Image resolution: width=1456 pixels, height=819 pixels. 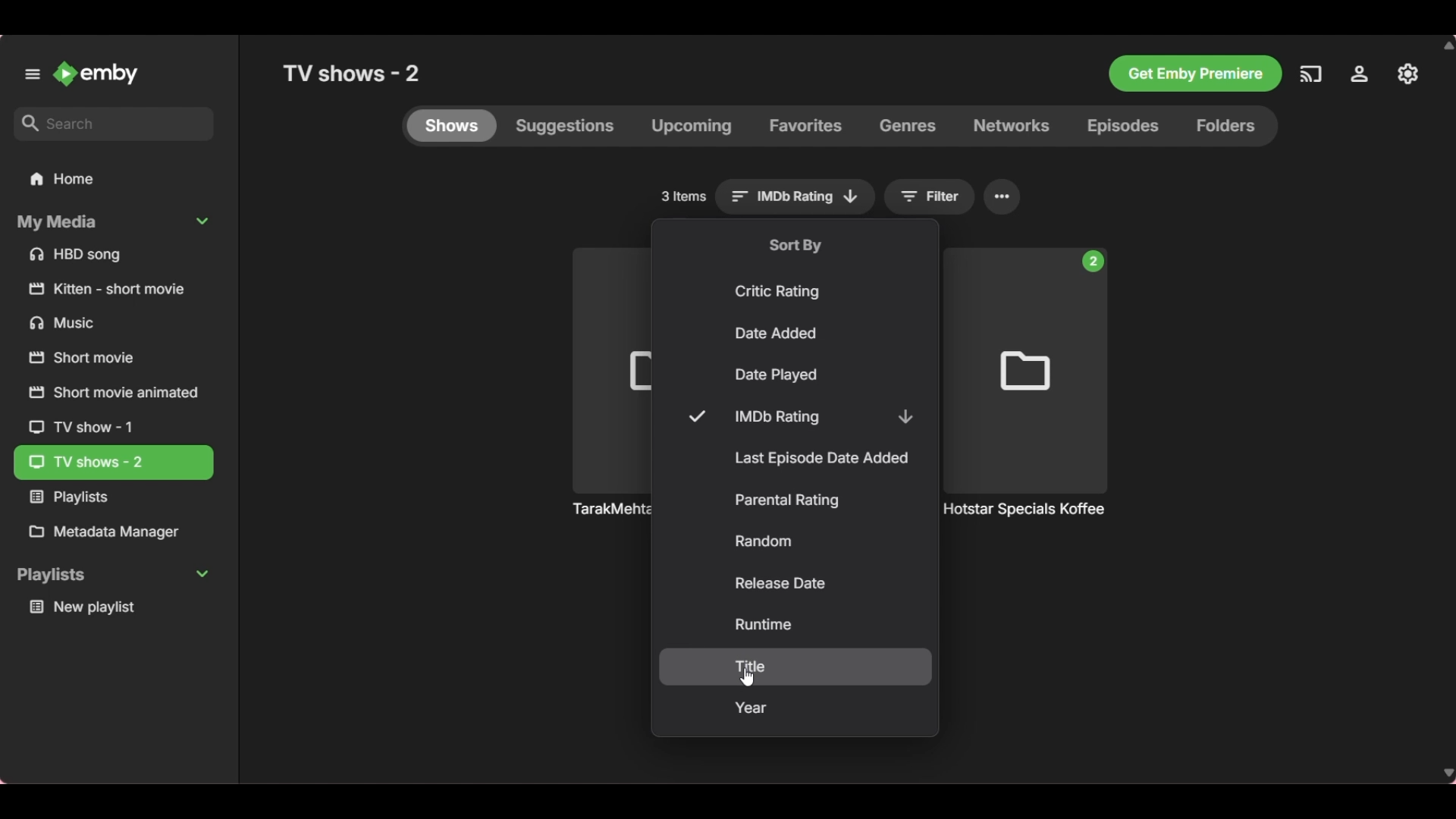 What do you see at coordinates (108, 500) in the screenshot?
I see `` at bounding box center [108, 500].